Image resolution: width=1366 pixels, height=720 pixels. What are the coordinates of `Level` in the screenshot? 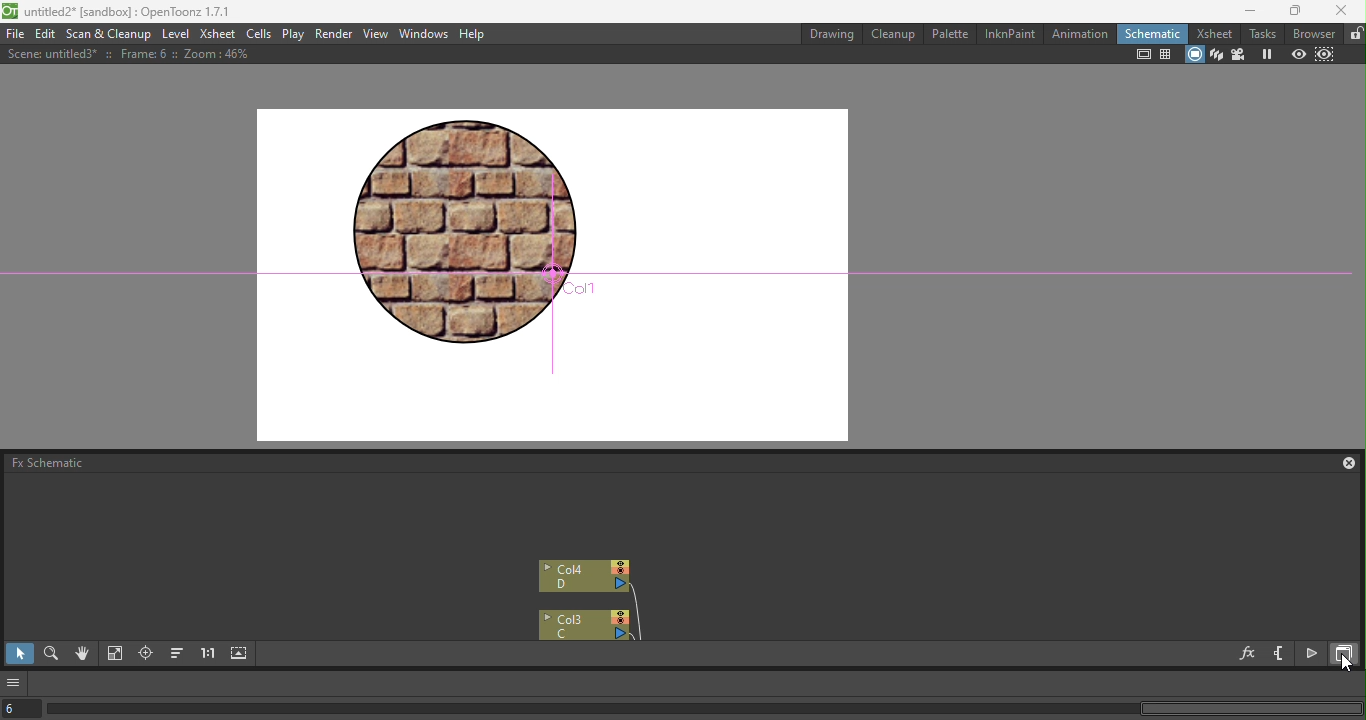 It's located at (176, 35).